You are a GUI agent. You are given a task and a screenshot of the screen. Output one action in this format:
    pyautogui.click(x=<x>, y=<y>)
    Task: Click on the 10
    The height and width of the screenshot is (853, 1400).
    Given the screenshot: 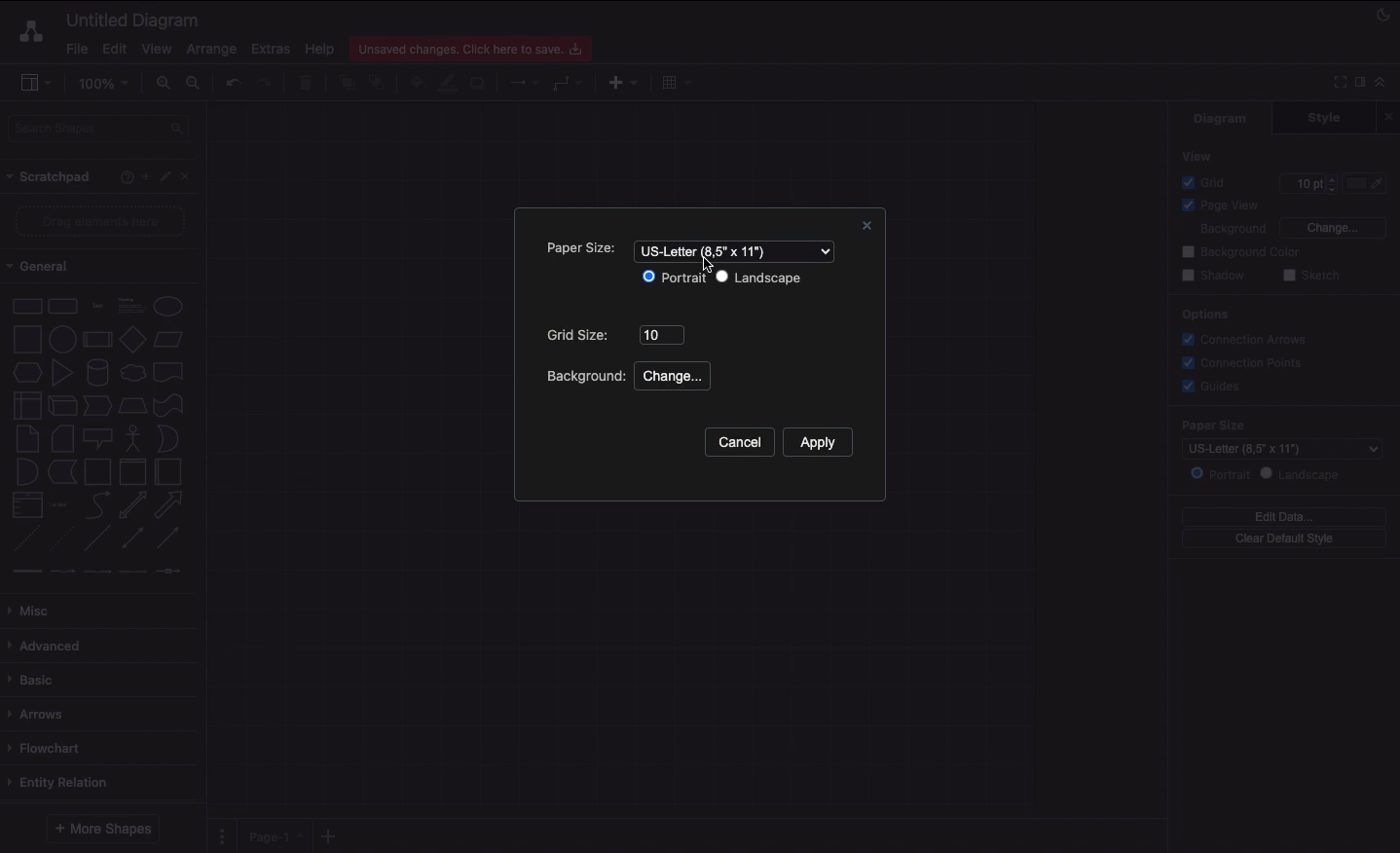 What is the action you would take?
    pyautogui.click(x=663, y=335)
    